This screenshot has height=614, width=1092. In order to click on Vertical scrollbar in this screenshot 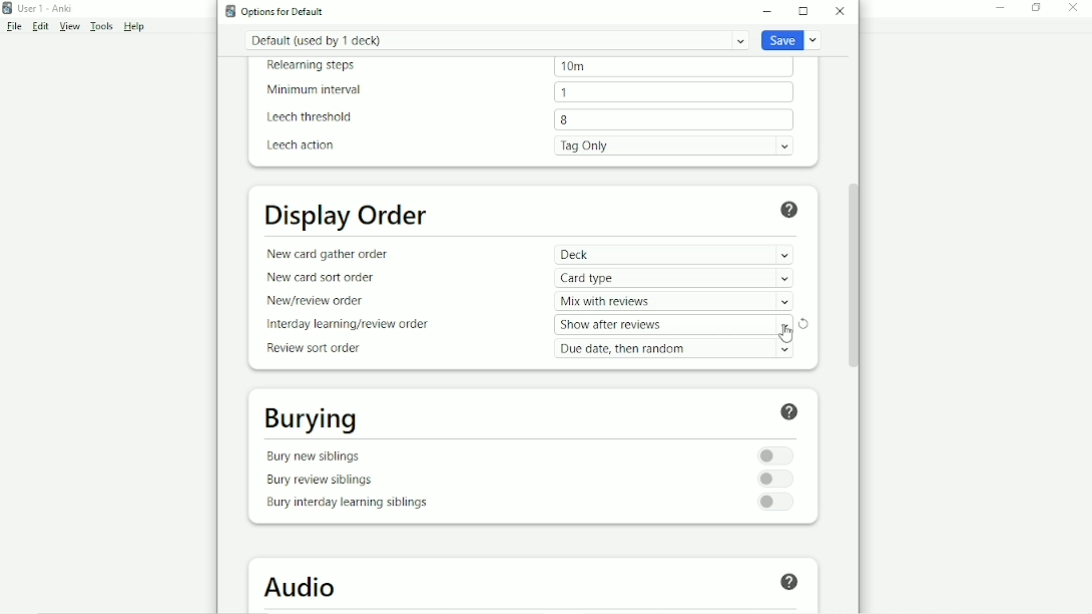, I will do `click(851, 274)`.